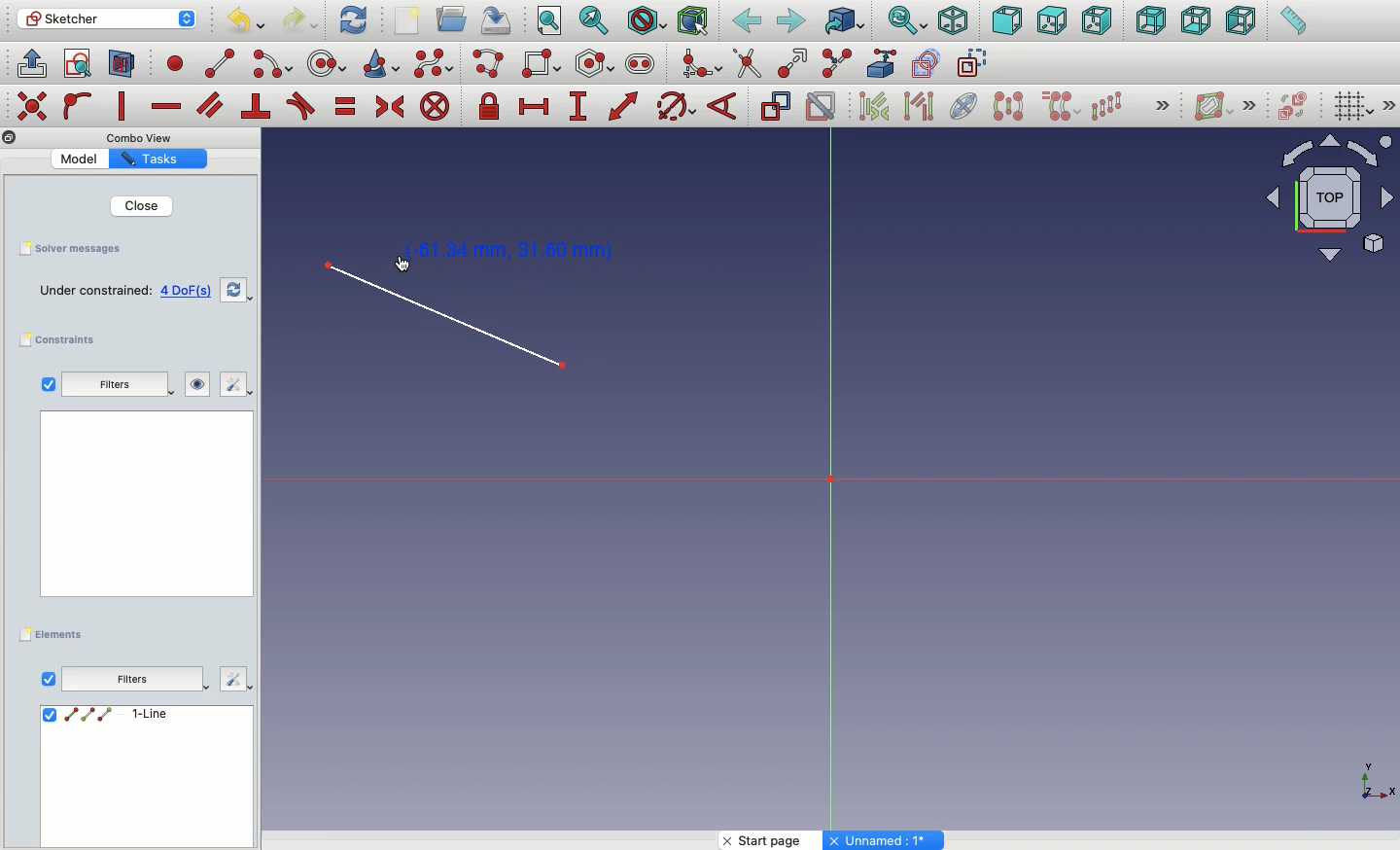 The width and height of the screenshot is (1400, 850). I want to click on Top, so click(1050, 22).